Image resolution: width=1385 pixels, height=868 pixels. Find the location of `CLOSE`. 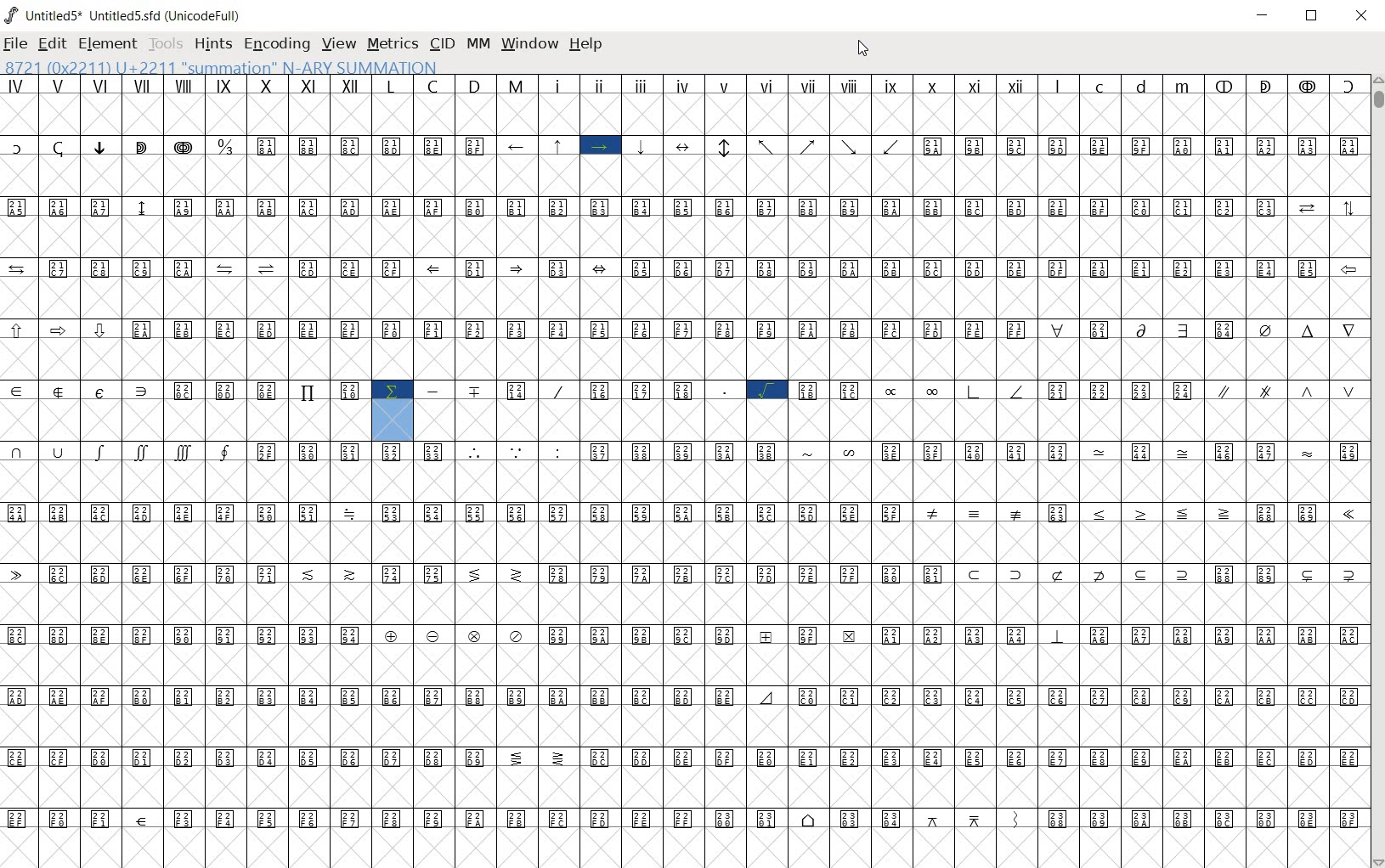

CLOSE is located at coordinates (1361, 18).